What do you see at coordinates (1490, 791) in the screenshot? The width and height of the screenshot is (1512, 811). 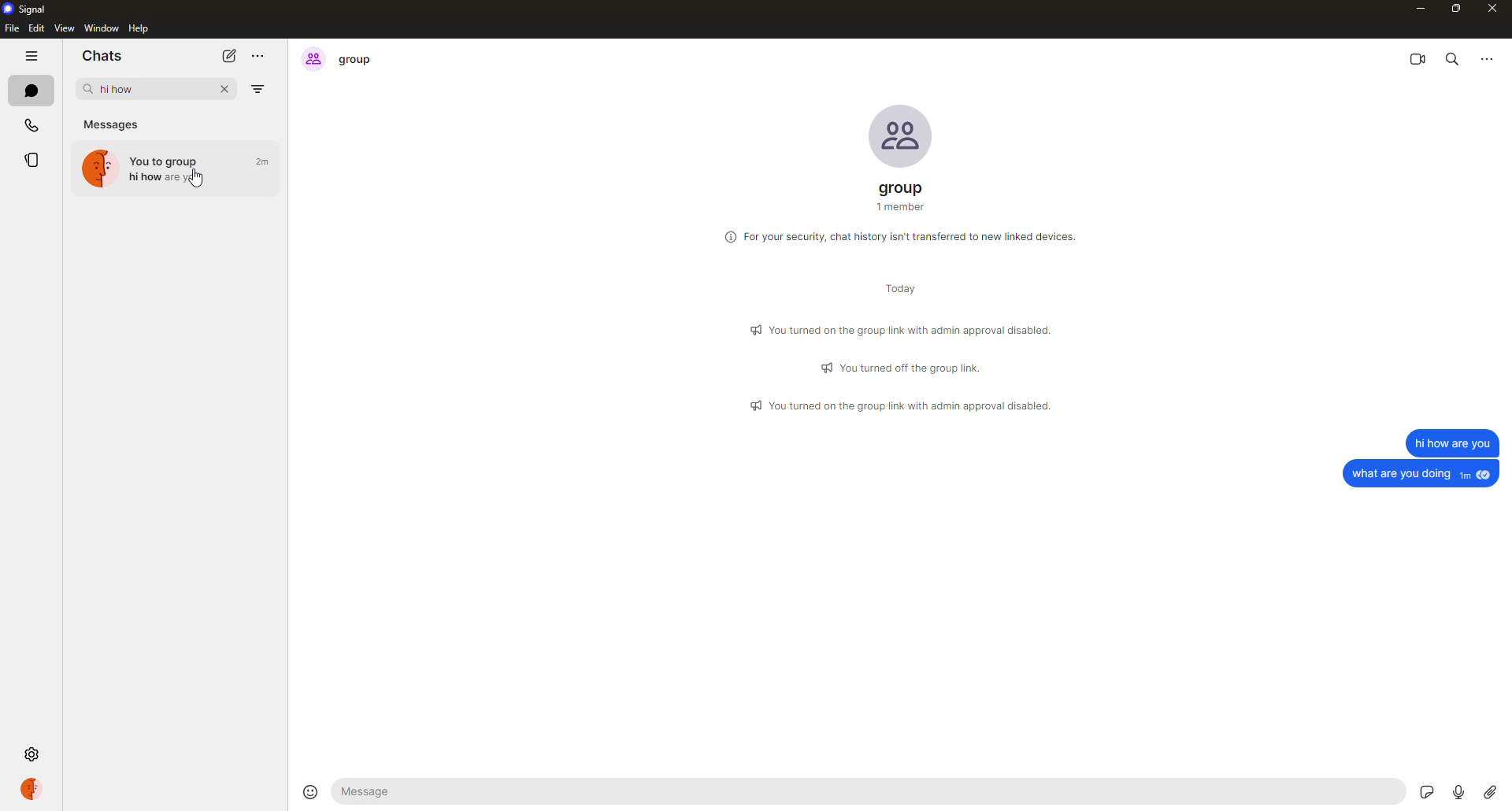 I see `attach` at bounding box center [1490, 791].